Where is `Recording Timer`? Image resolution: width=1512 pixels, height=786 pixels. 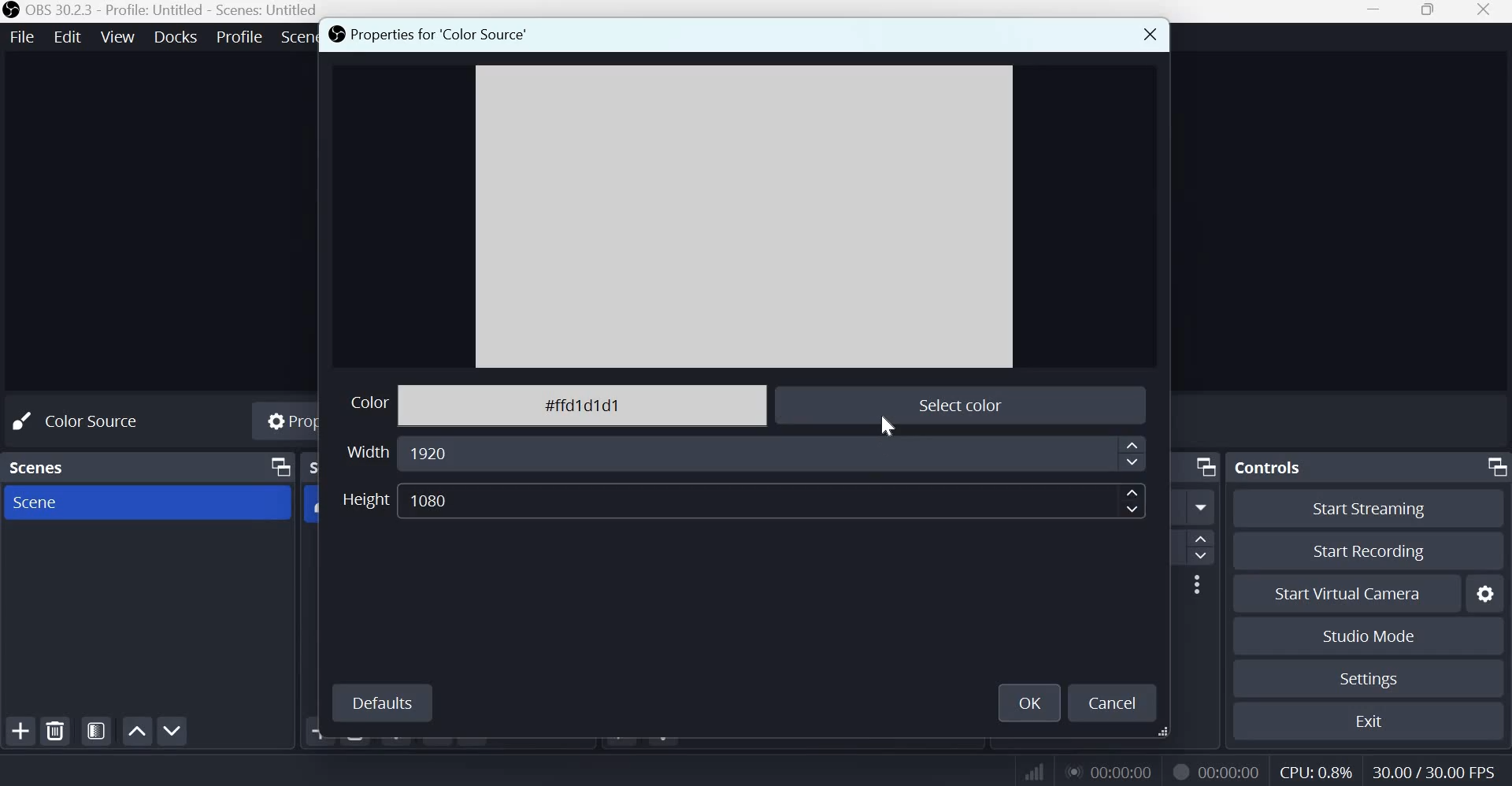
Recording Timer is located at coordinates (1231, 771).